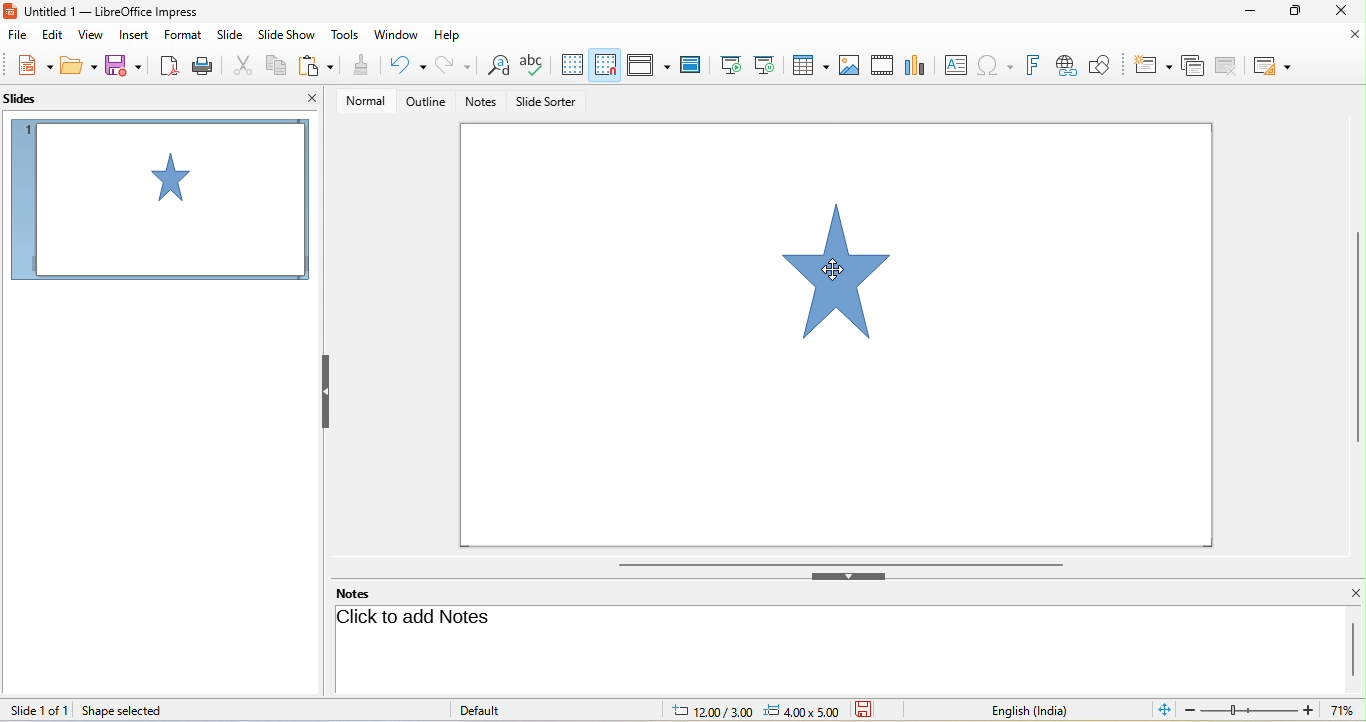 The width and height of the screenshot is (1366, 722). What do you see at coordinates (357, 593) in the screenshot?
I see `notes` at bounding box center [357, 593].